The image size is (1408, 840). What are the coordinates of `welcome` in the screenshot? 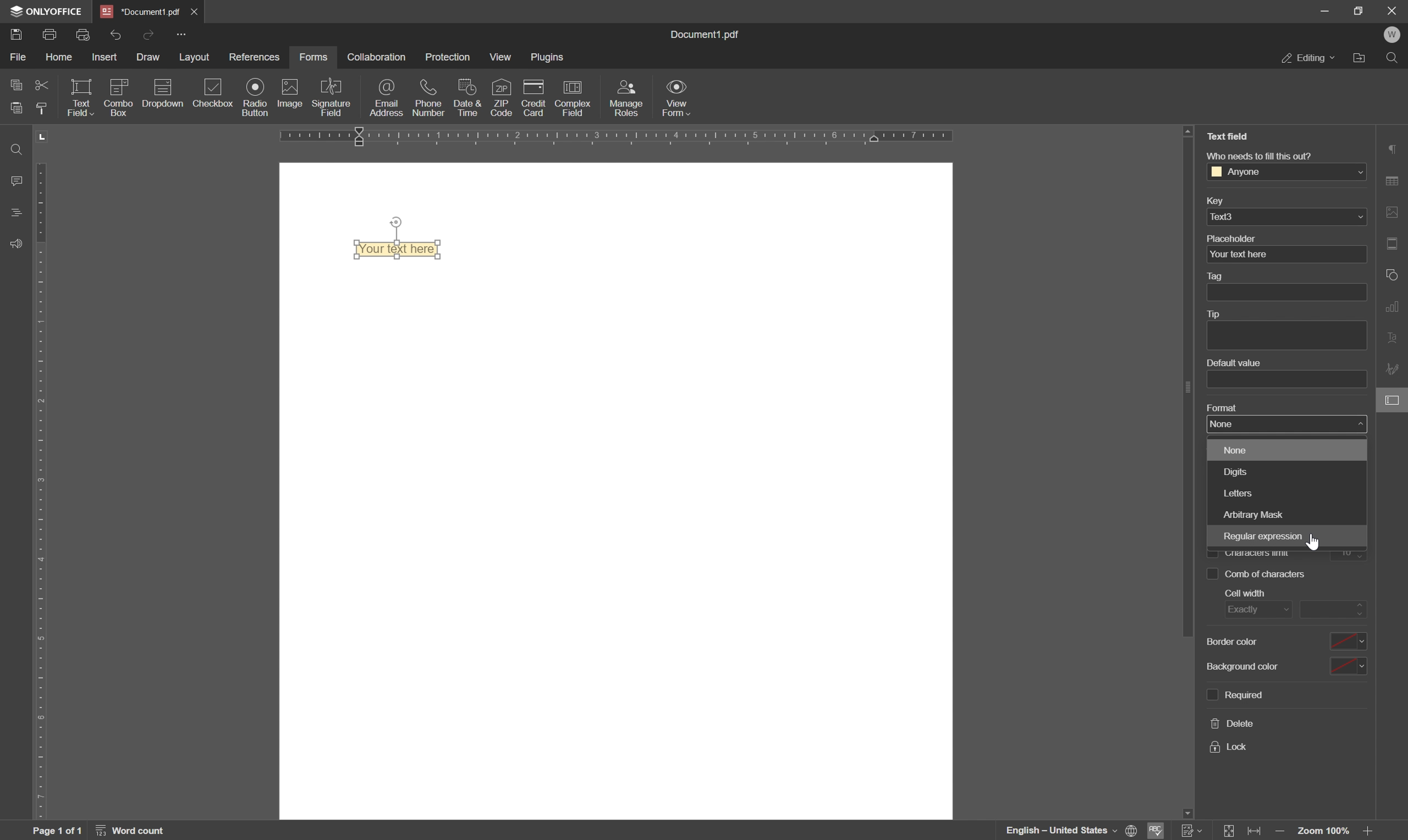 It's located at (1393, 35).